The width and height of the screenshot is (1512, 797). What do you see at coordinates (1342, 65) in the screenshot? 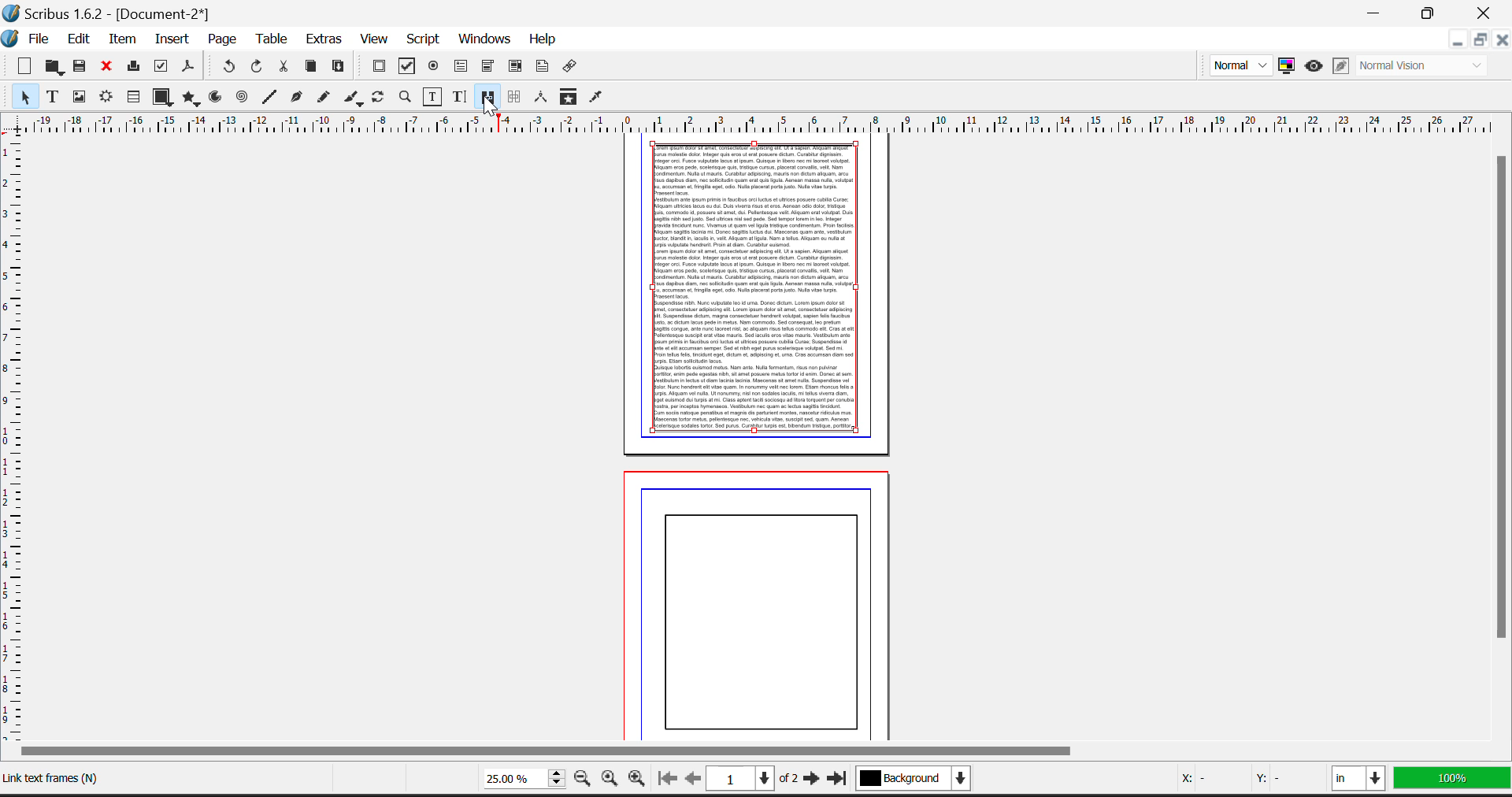
I see `Edit in Preview Mode` at bounding box center [1342, 65].